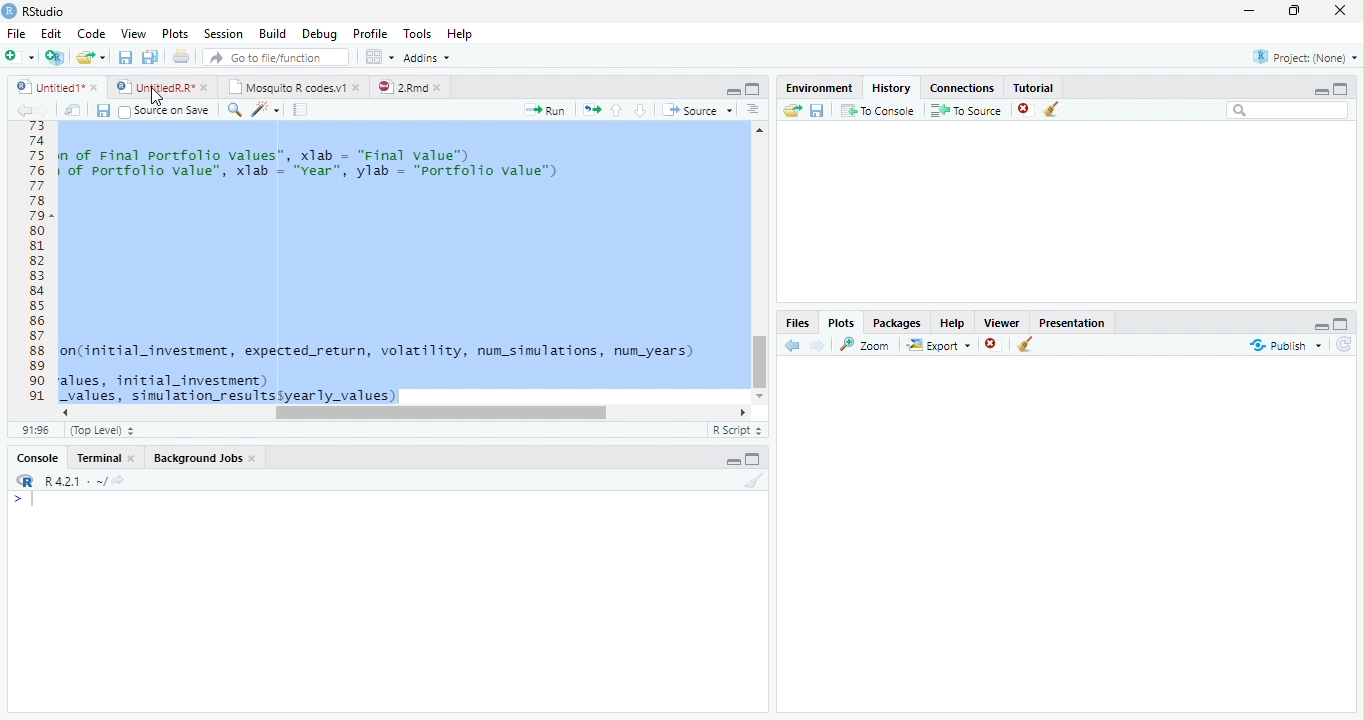 This screenshot has height=720, width=1364. I want to click on File, so click(15, 33).